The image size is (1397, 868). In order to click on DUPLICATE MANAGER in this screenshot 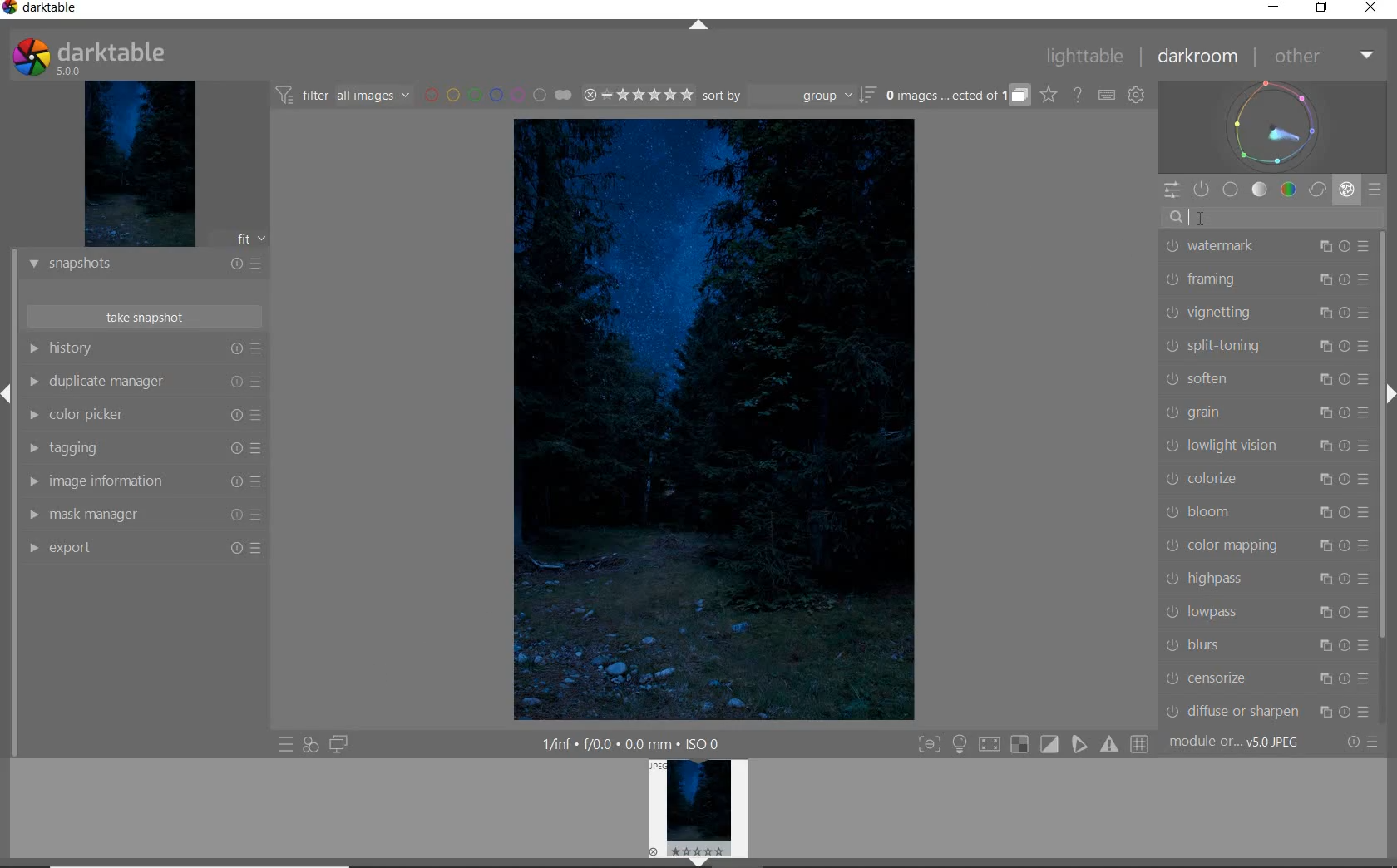, I will do `click(143, 382)`.